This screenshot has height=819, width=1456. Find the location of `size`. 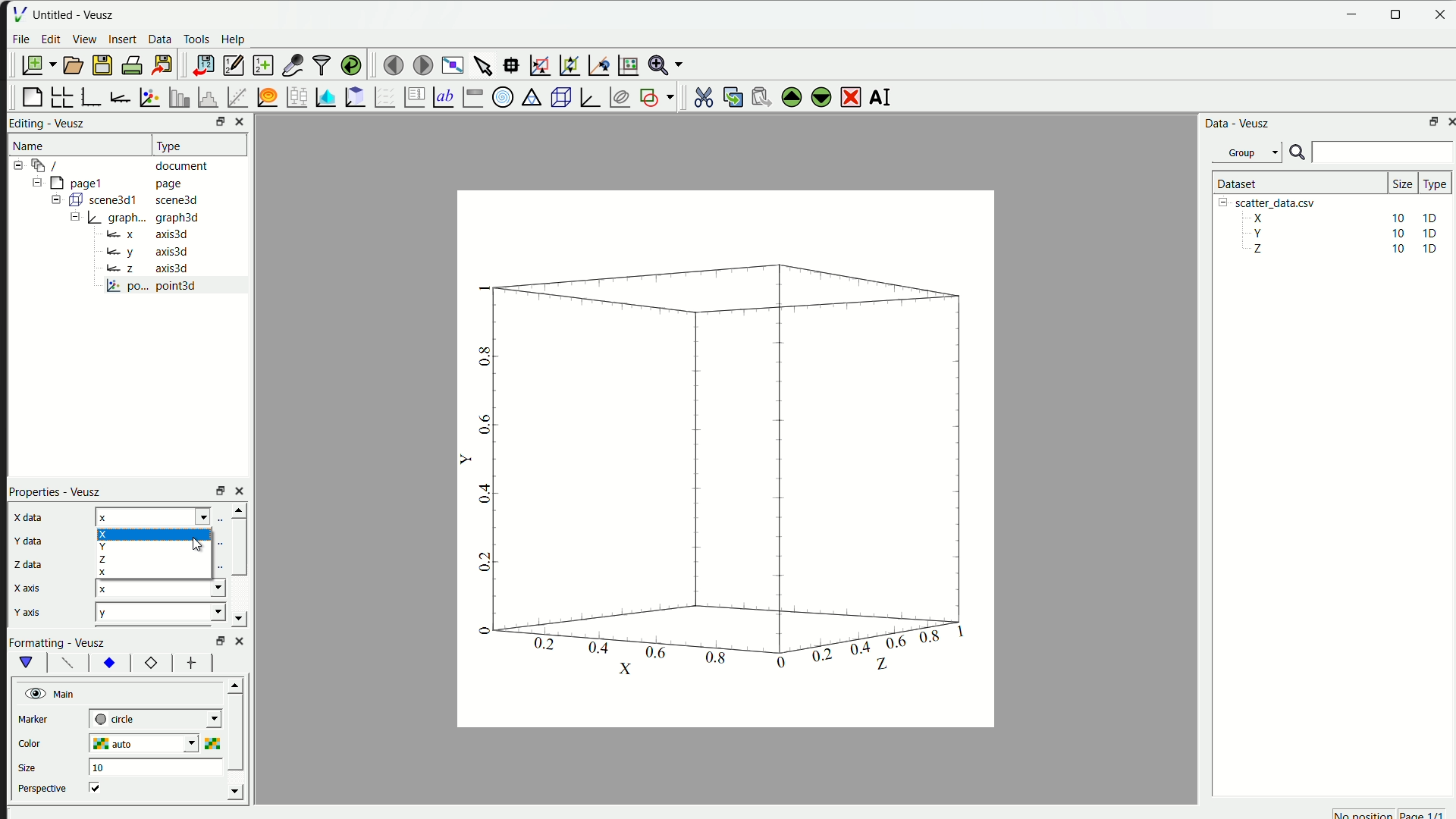

size is located at coordinates (31, 765).